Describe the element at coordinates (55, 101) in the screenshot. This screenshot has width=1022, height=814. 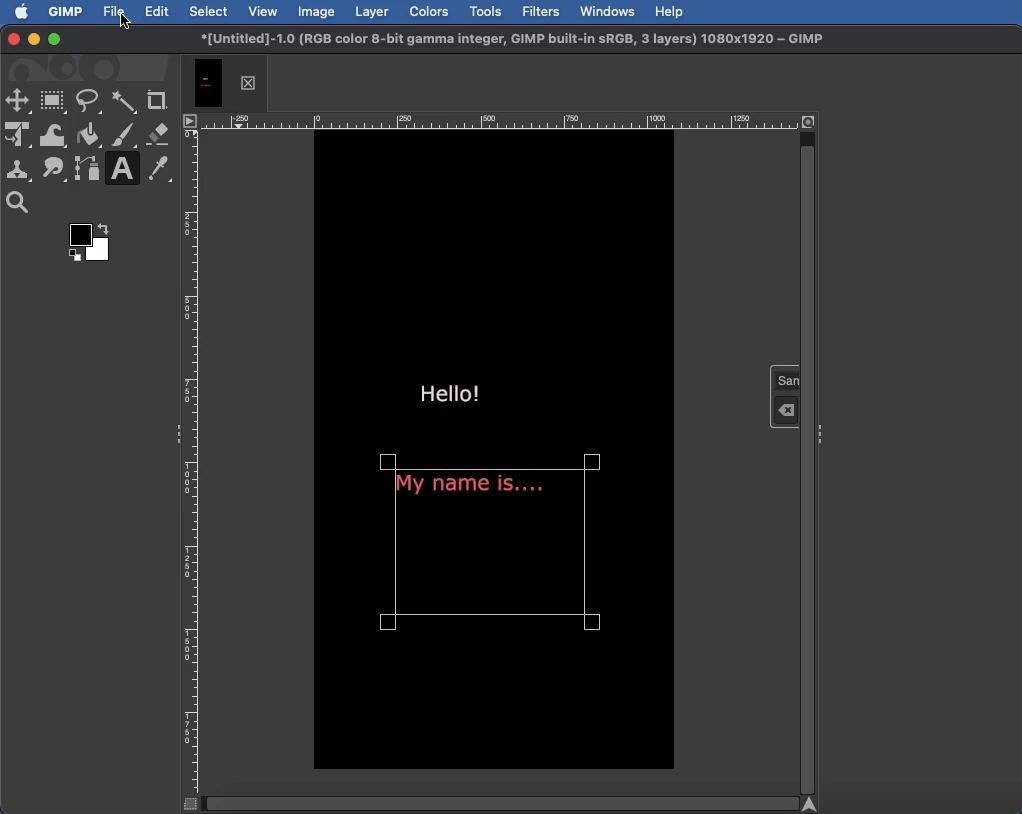
I see `Rectangle select tool` at that location.